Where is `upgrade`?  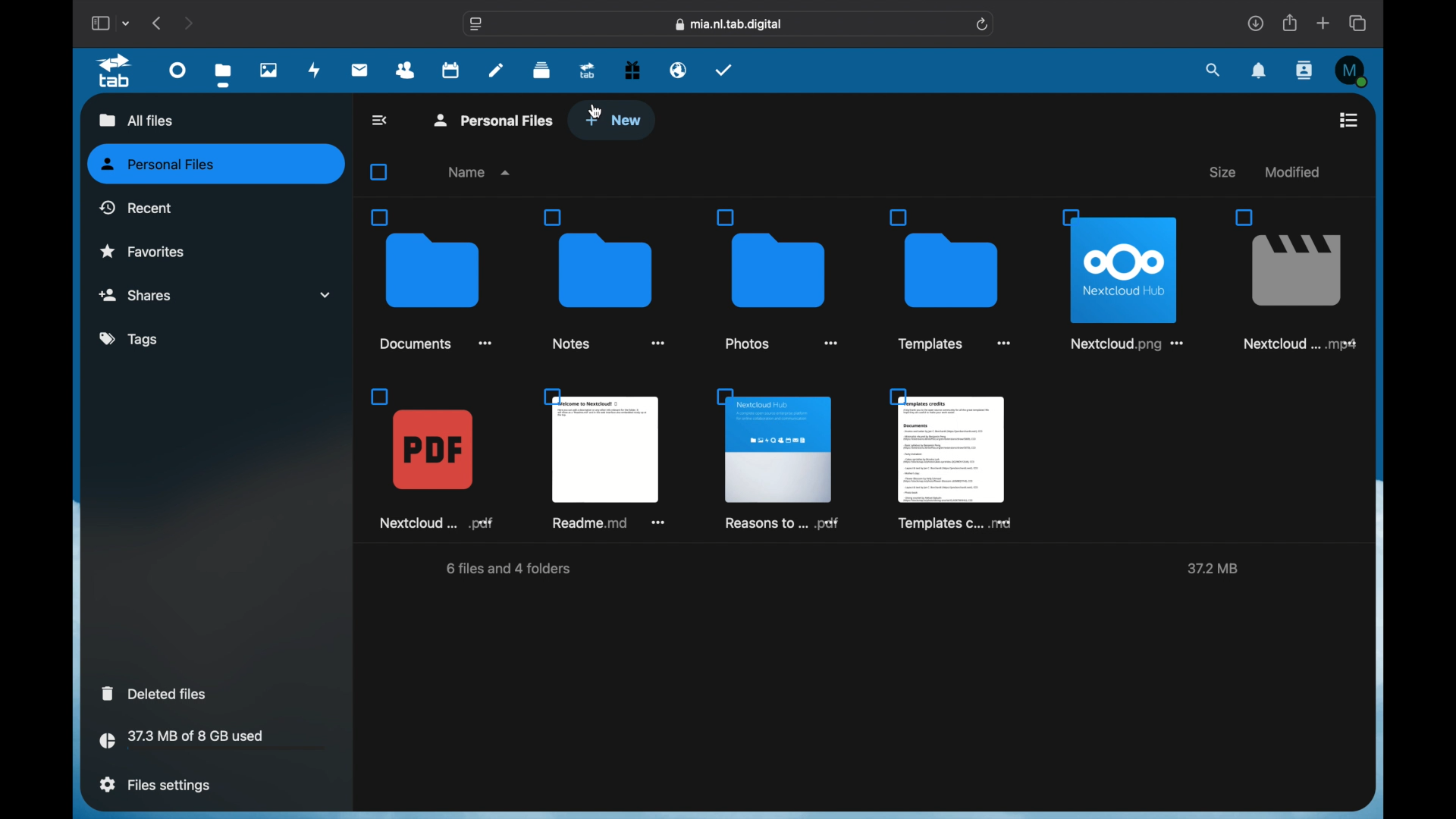
upgrade is located at coordinates (588, 70).